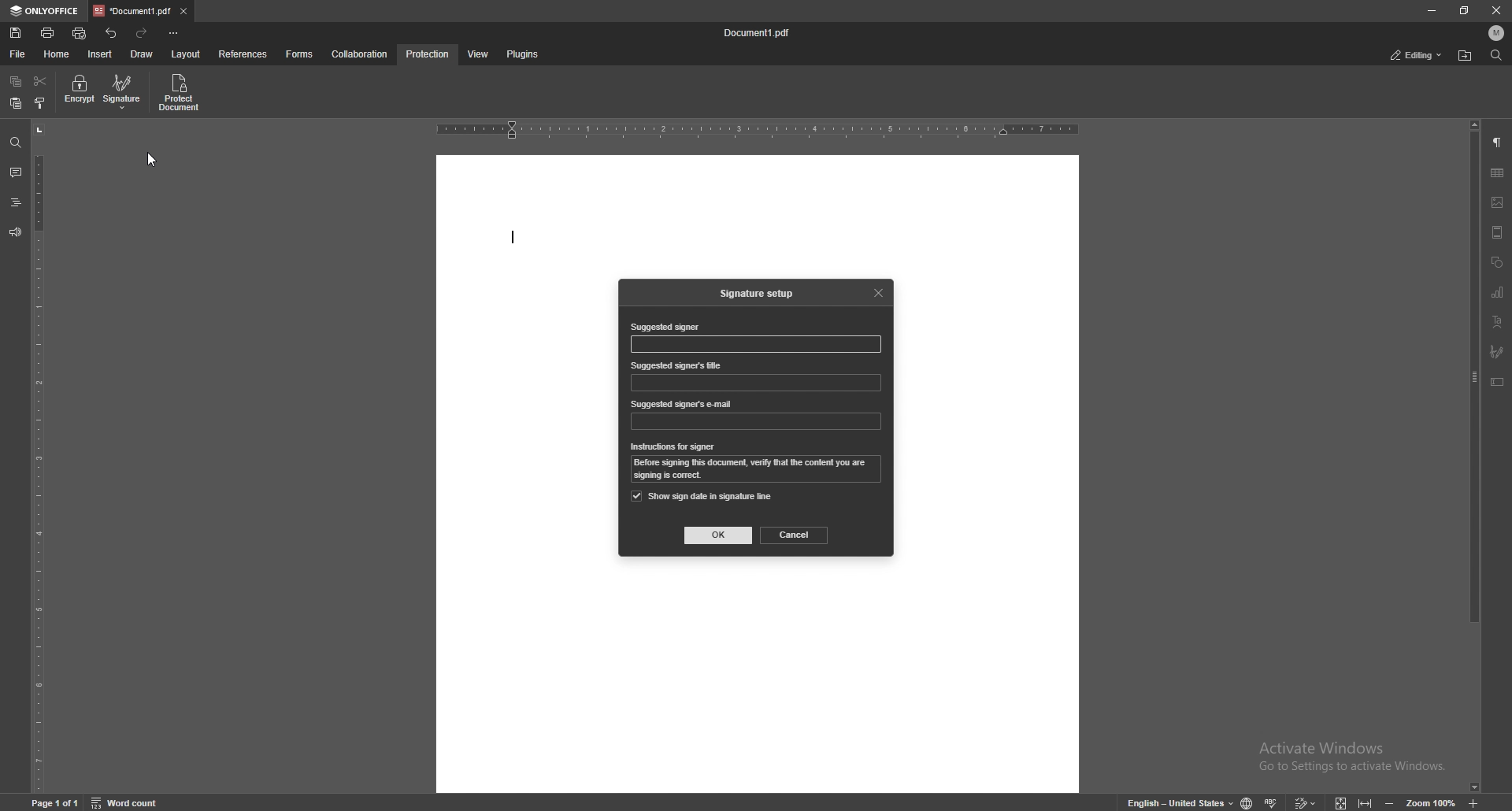  What do you see at coordinates (1497, 232) in the screenshot?
I see `header and footer` at bounding box center [1497, 232].